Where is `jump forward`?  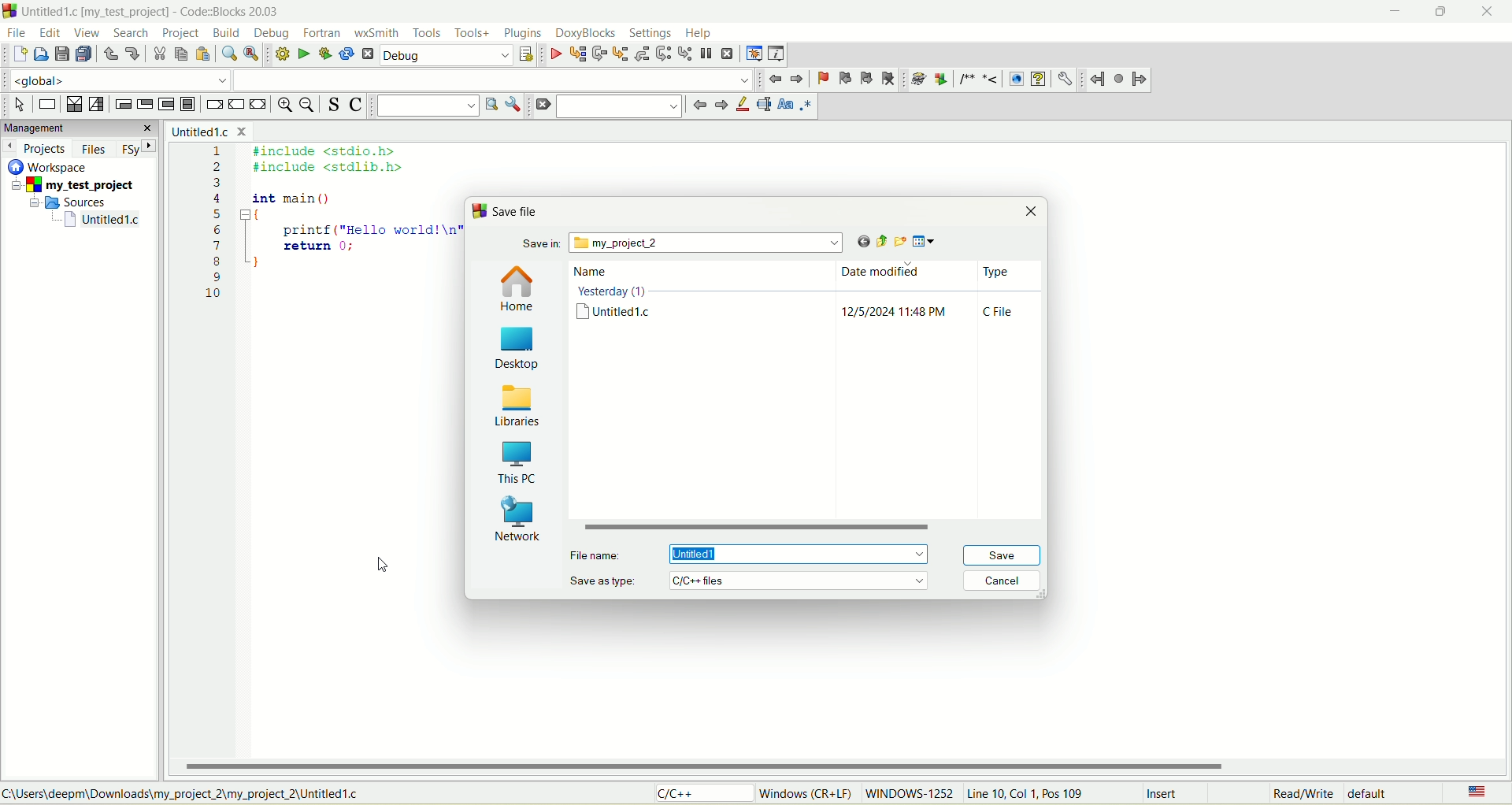 jump forward is located at coordinates (719, 106).